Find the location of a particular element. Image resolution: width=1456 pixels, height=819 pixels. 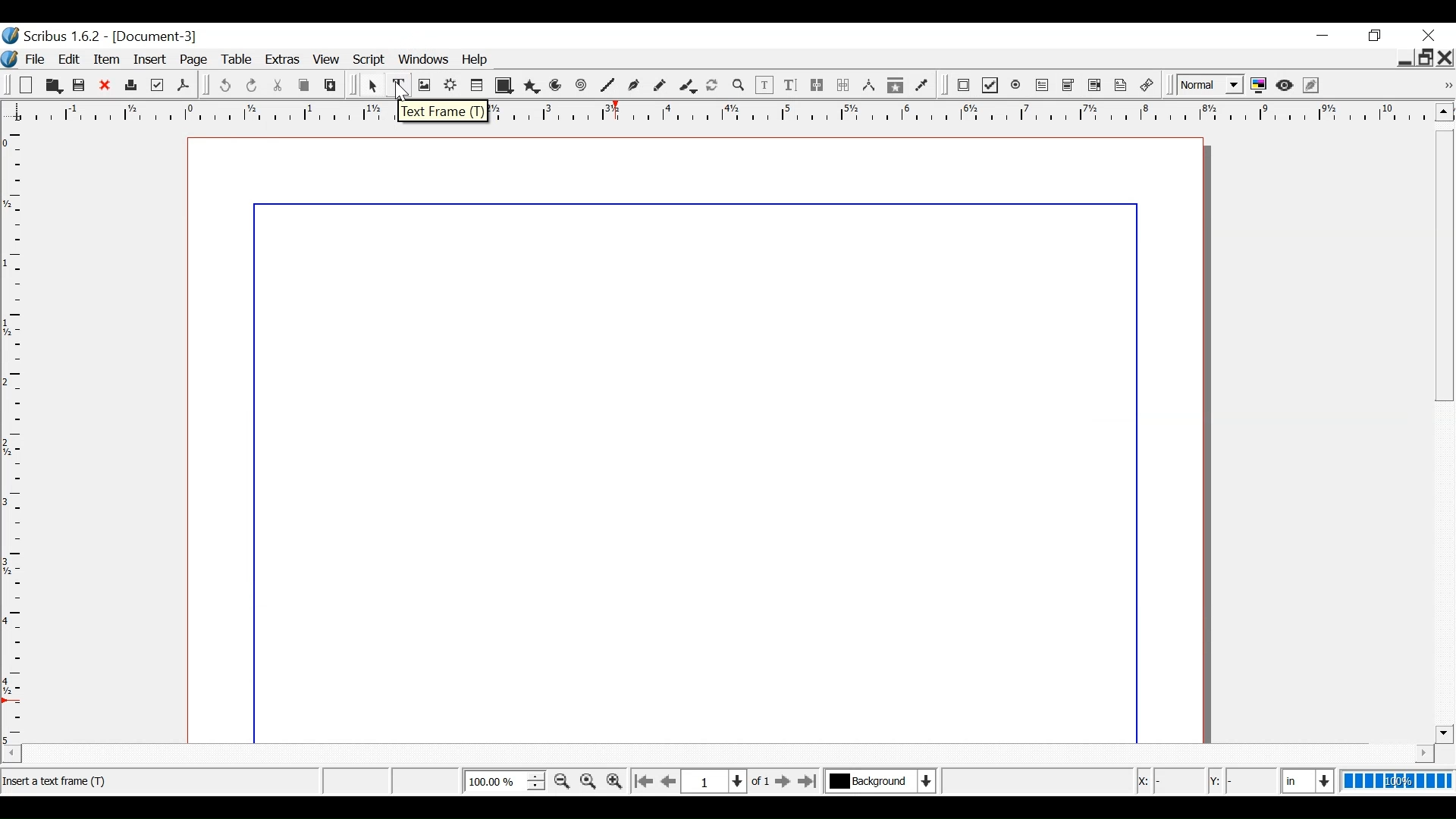

Y Coordinates is located at coordinates (1238, 781).